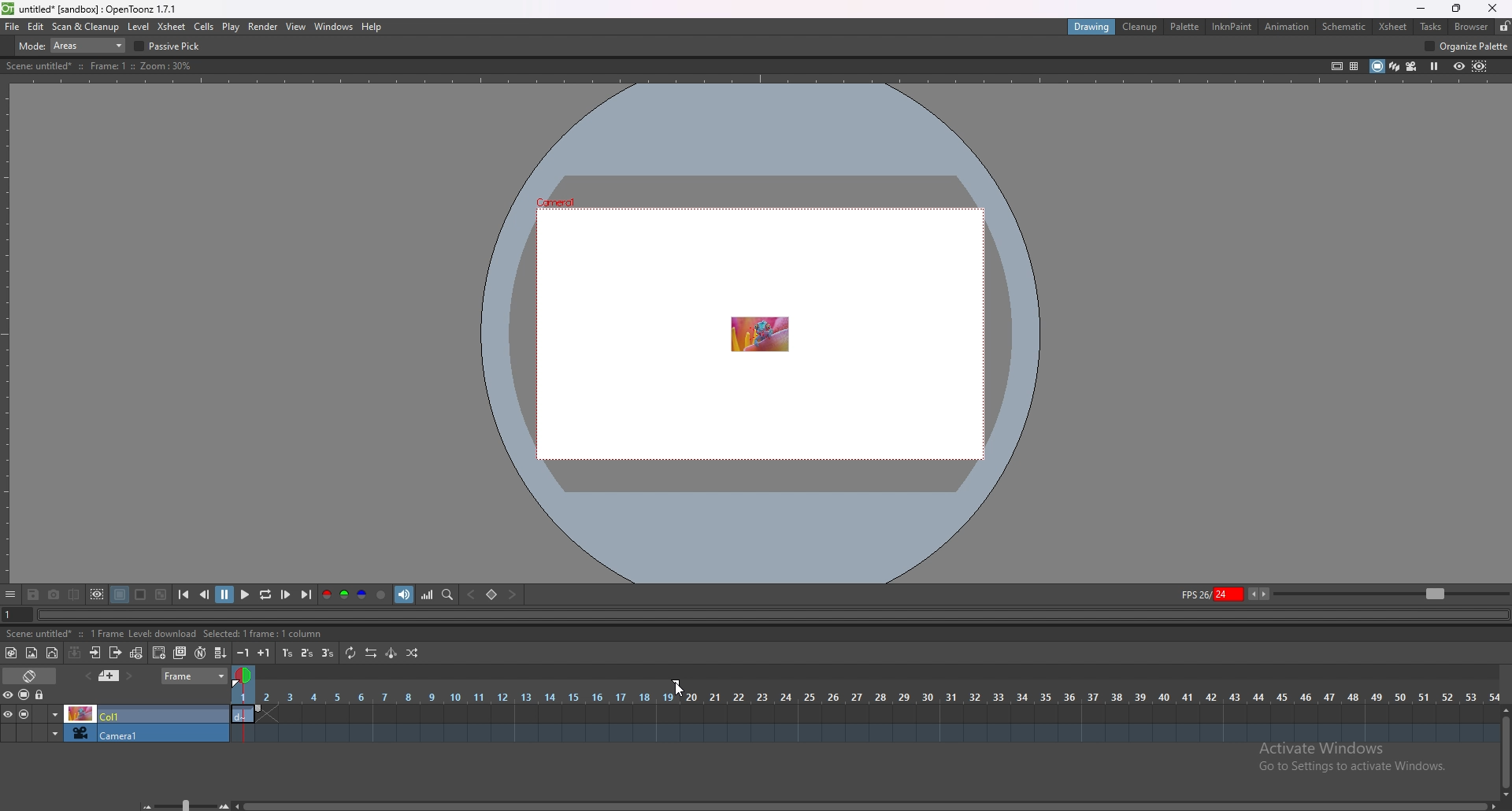  I want to click on reframe on 2s, so click(308, 653).